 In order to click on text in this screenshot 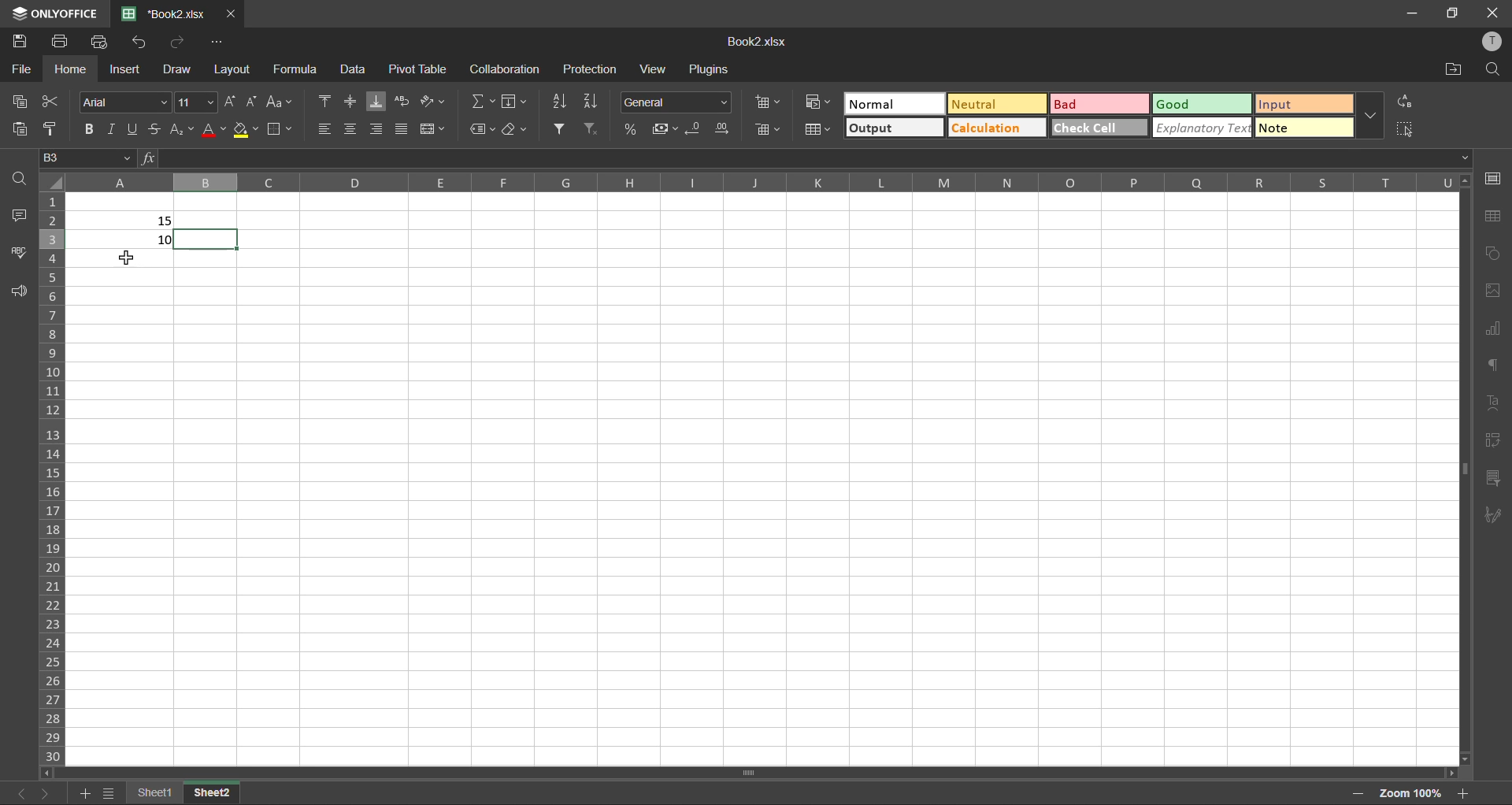, I will do `click(1491, 399)`.